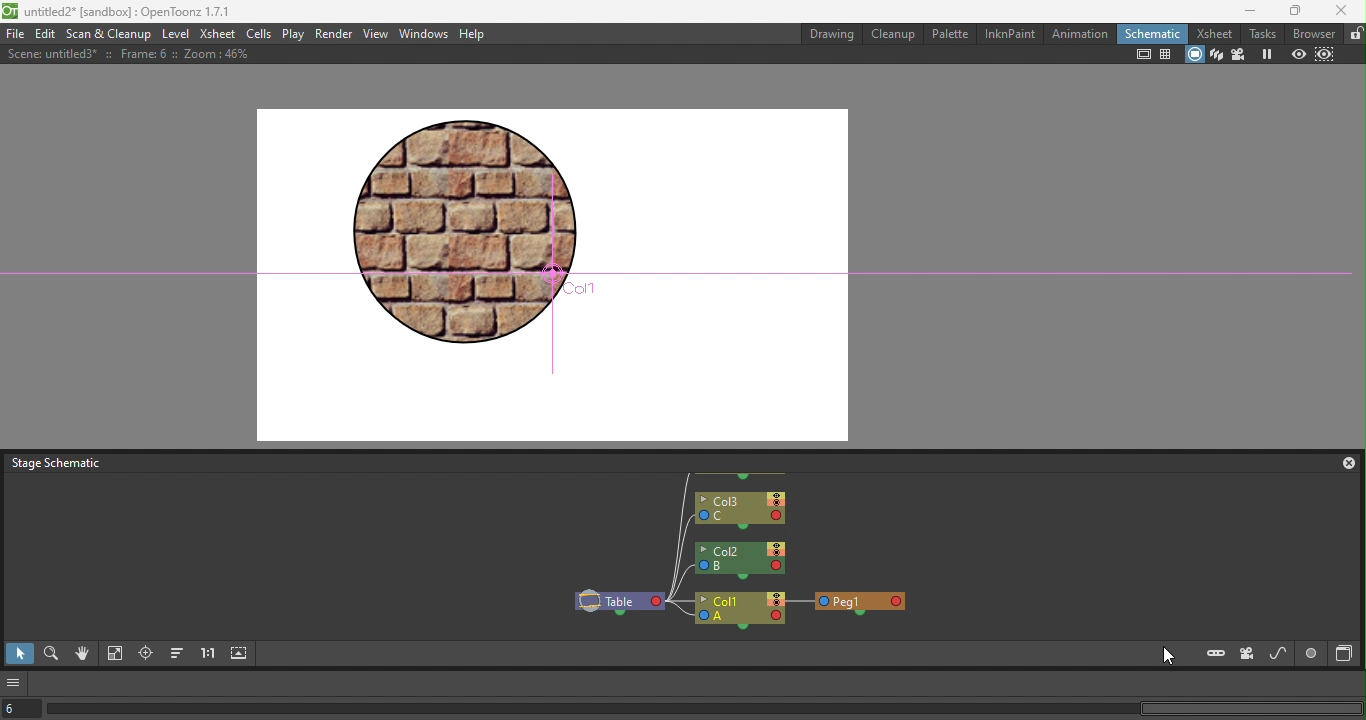 Image resolution: width=1366 pixels, height=720 pixels. What do you see at coordinates (240, 655) in the screenshot?
I see `Maximize nodes` at bounding box center [240, 655].